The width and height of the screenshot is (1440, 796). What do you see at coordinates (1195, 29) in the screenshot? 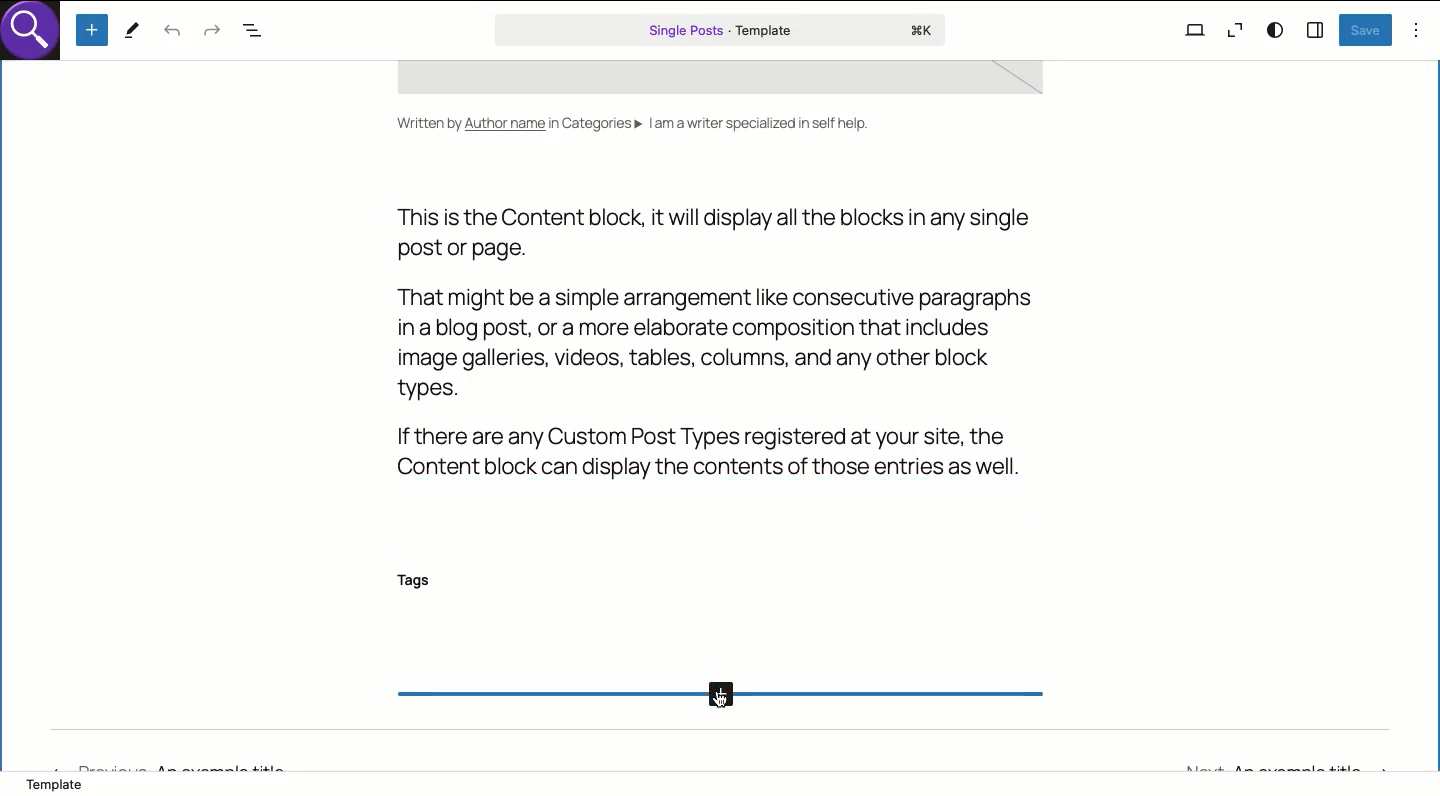
I see `View` at bounding box center [1195, 29].